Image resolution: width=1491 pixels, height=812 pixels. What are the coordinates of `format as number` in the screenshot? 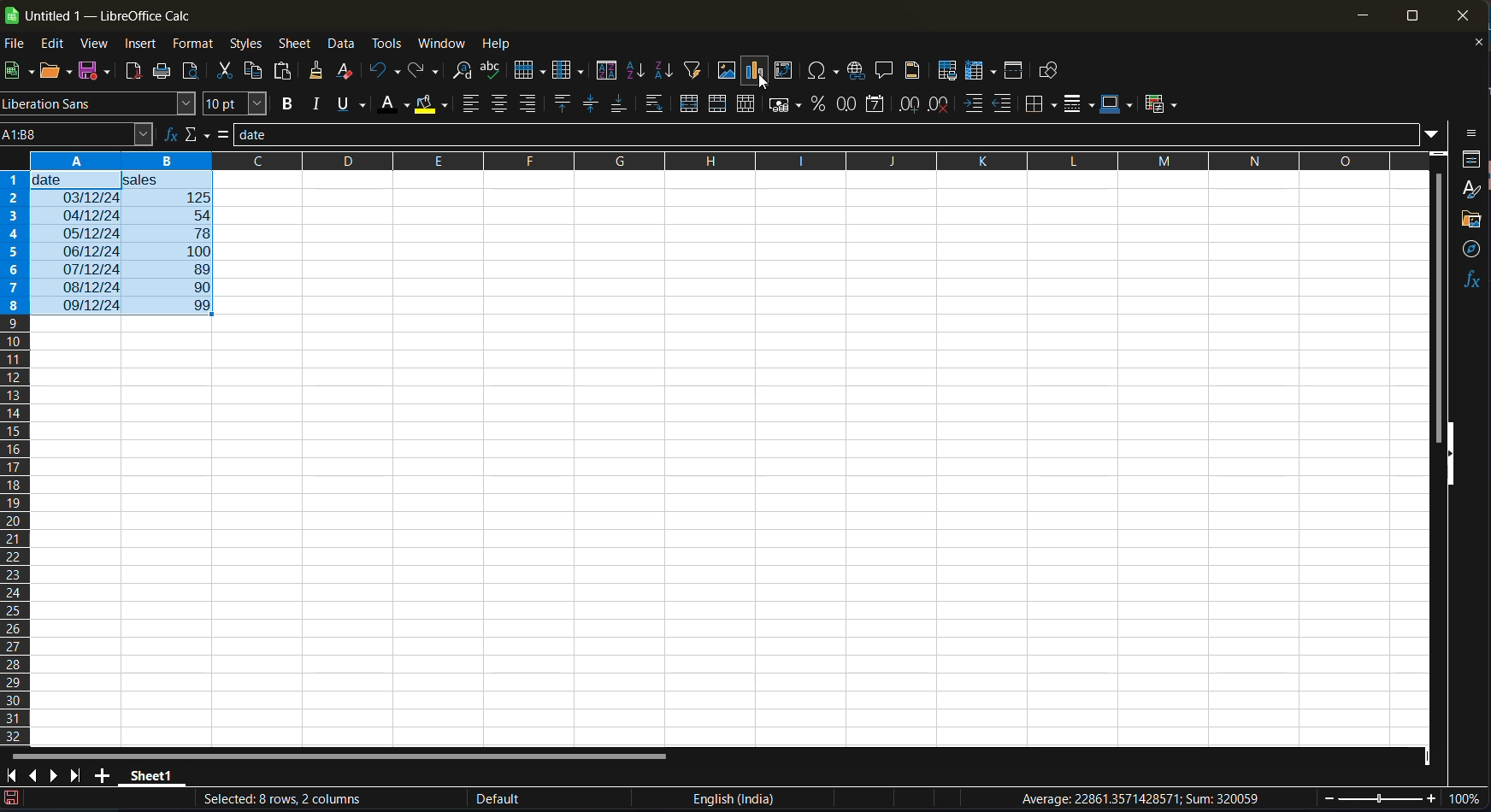 It's located at (852, 104).